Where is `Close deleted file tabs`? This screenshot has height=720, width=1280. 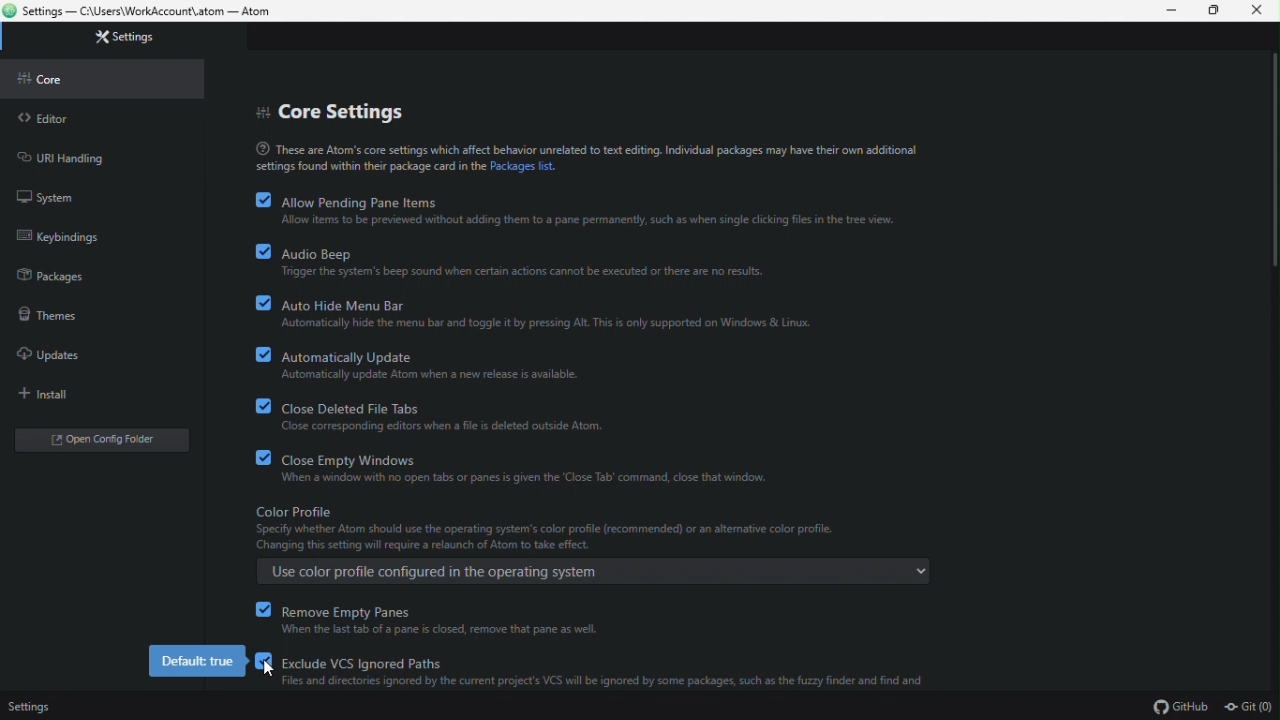 Close deleted file tabs is located at coordinates (588, 412).